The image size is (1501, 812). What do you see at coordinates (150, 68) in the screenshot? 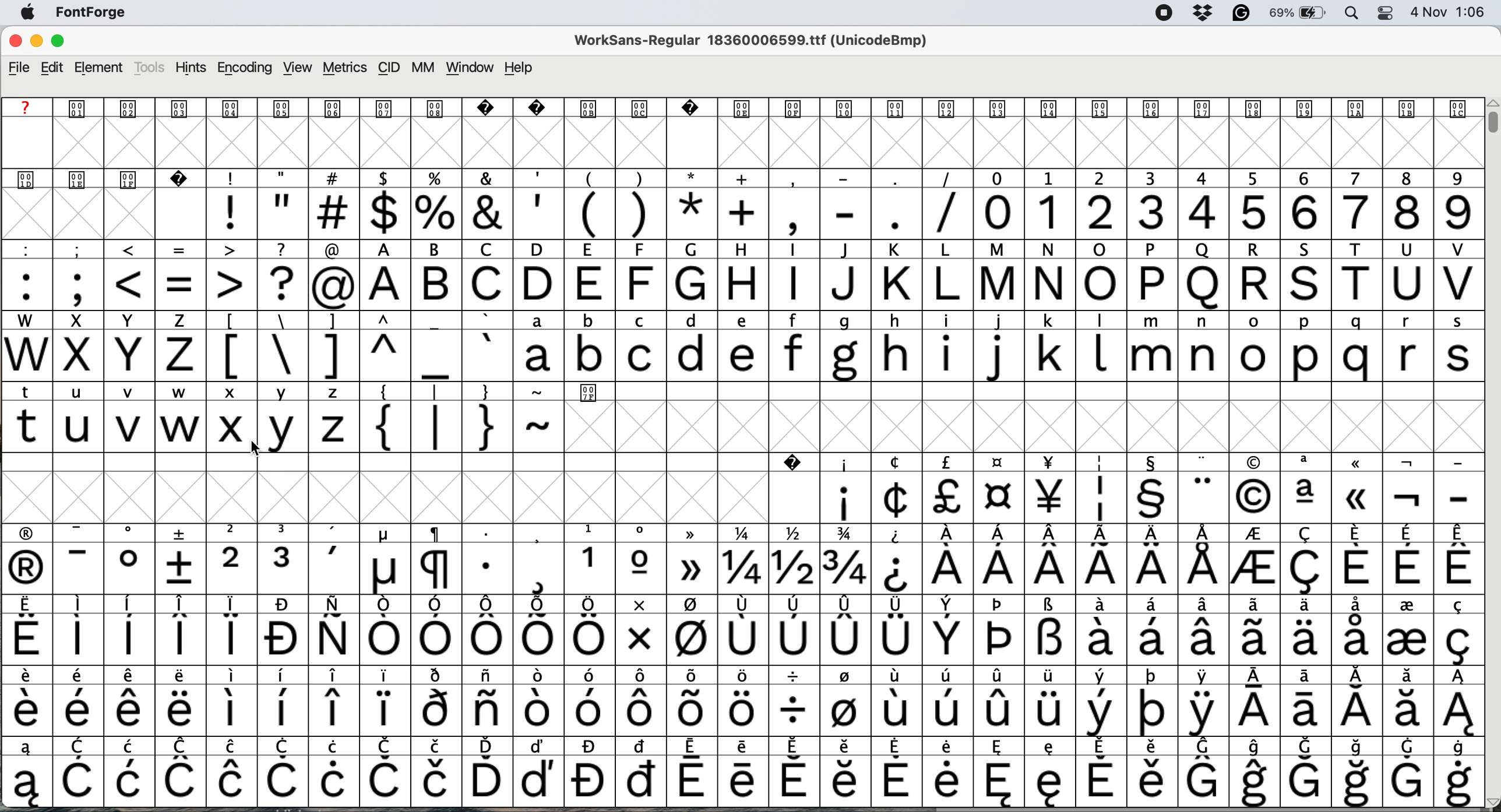
I see `tools` at bounding box center [150, 68].